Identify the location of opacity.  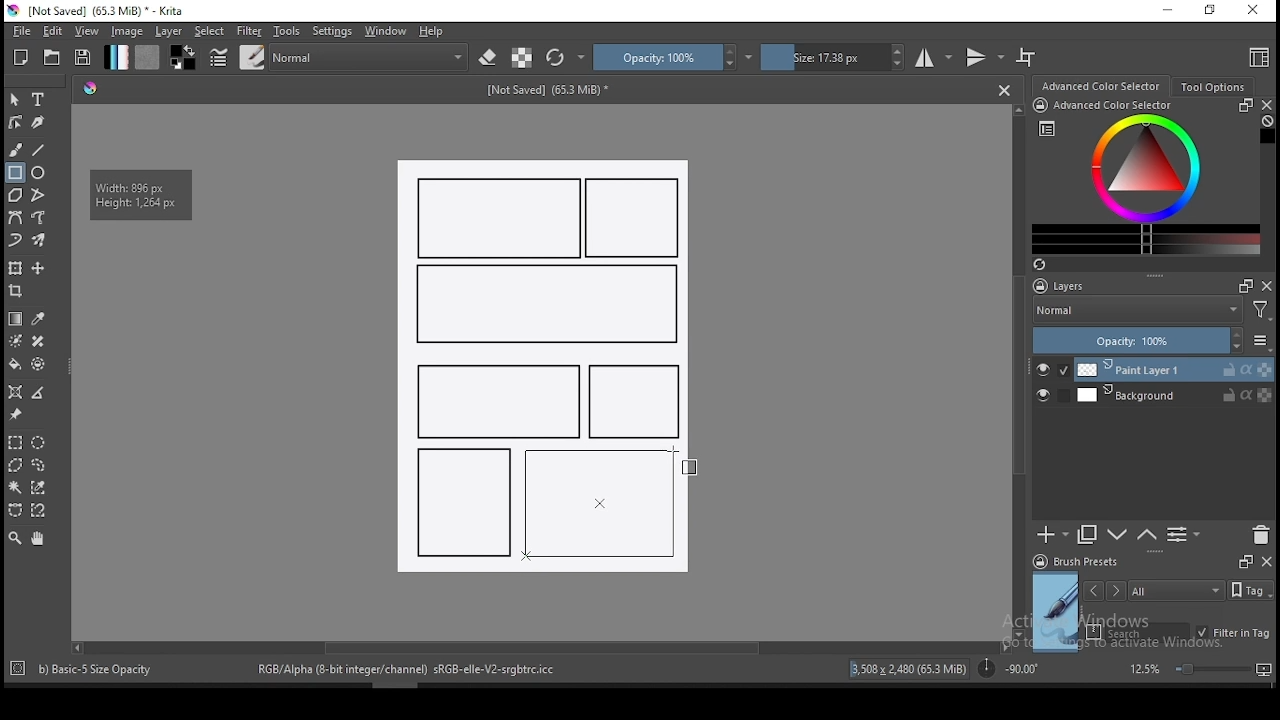
(1150, 342).